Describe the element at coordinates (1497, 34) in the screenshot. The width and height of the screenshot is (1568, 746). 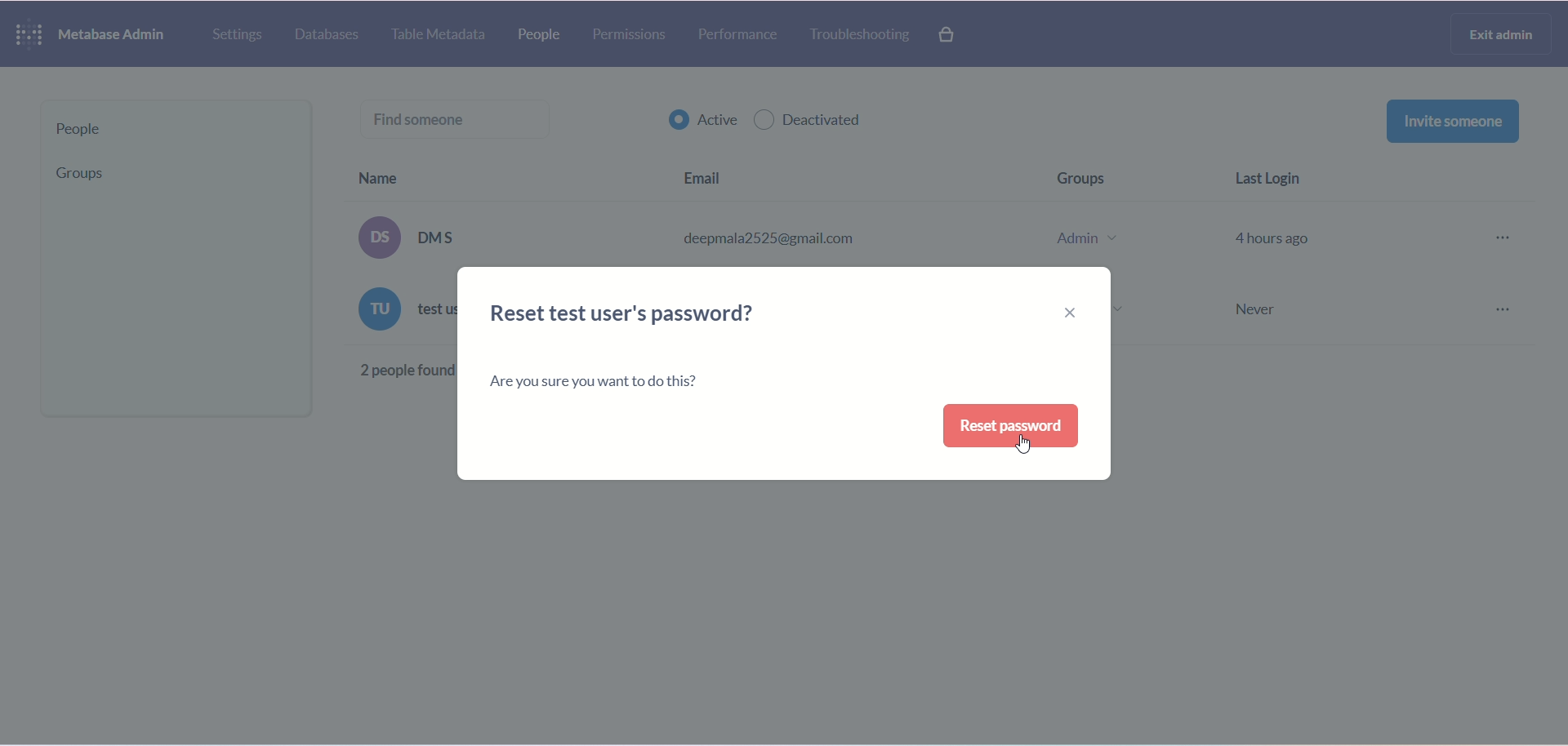
I see `exit admin` at that location.